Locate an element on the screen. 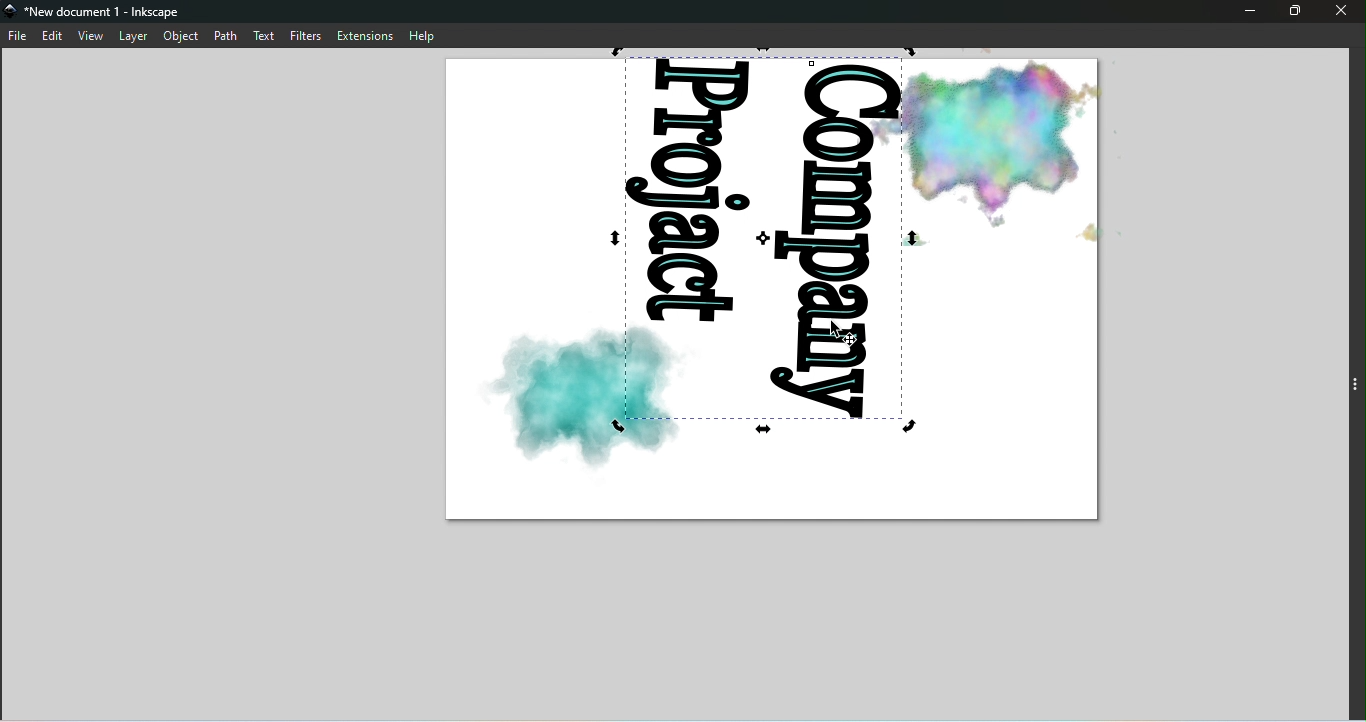 The height and width of the screenshot is (722, 1366). View is located at coordinates (91, 35).